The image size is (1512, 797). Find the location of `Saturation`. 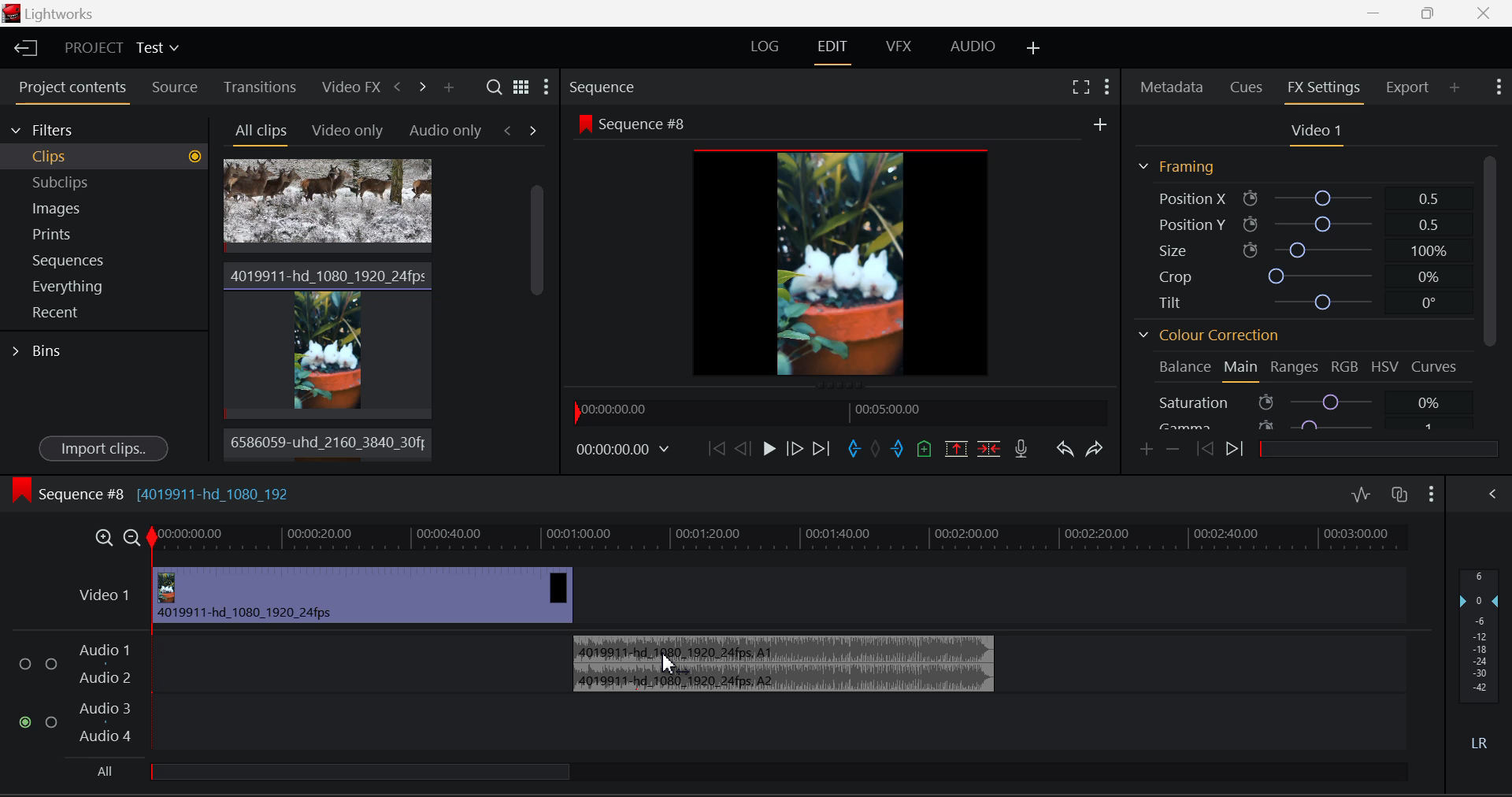

Saturation is located at coordinates (1310, 402).